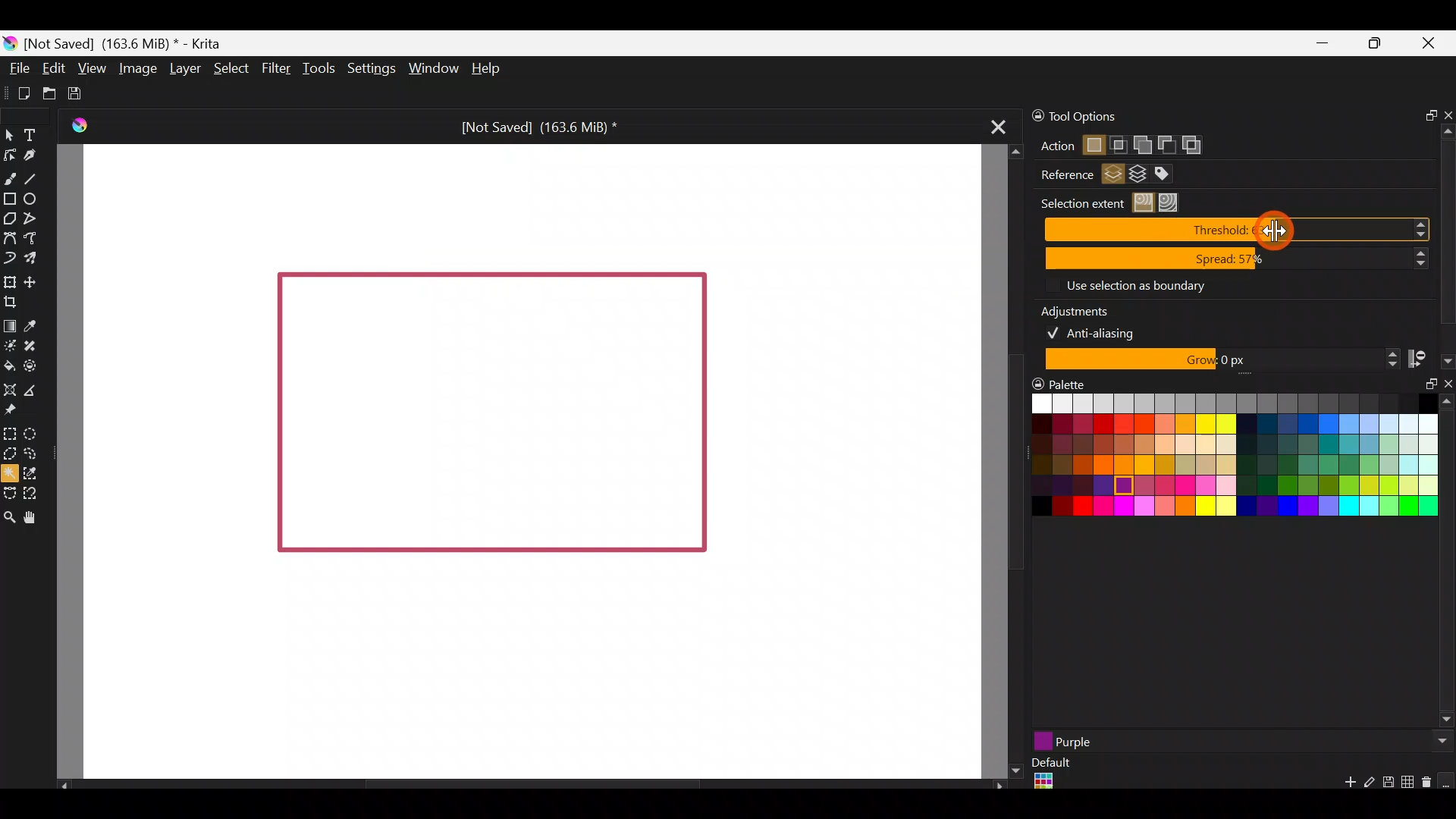 The width and height of the screenshot is (1456, 819). I want to click on Smart patch tool, so click(36, 344).